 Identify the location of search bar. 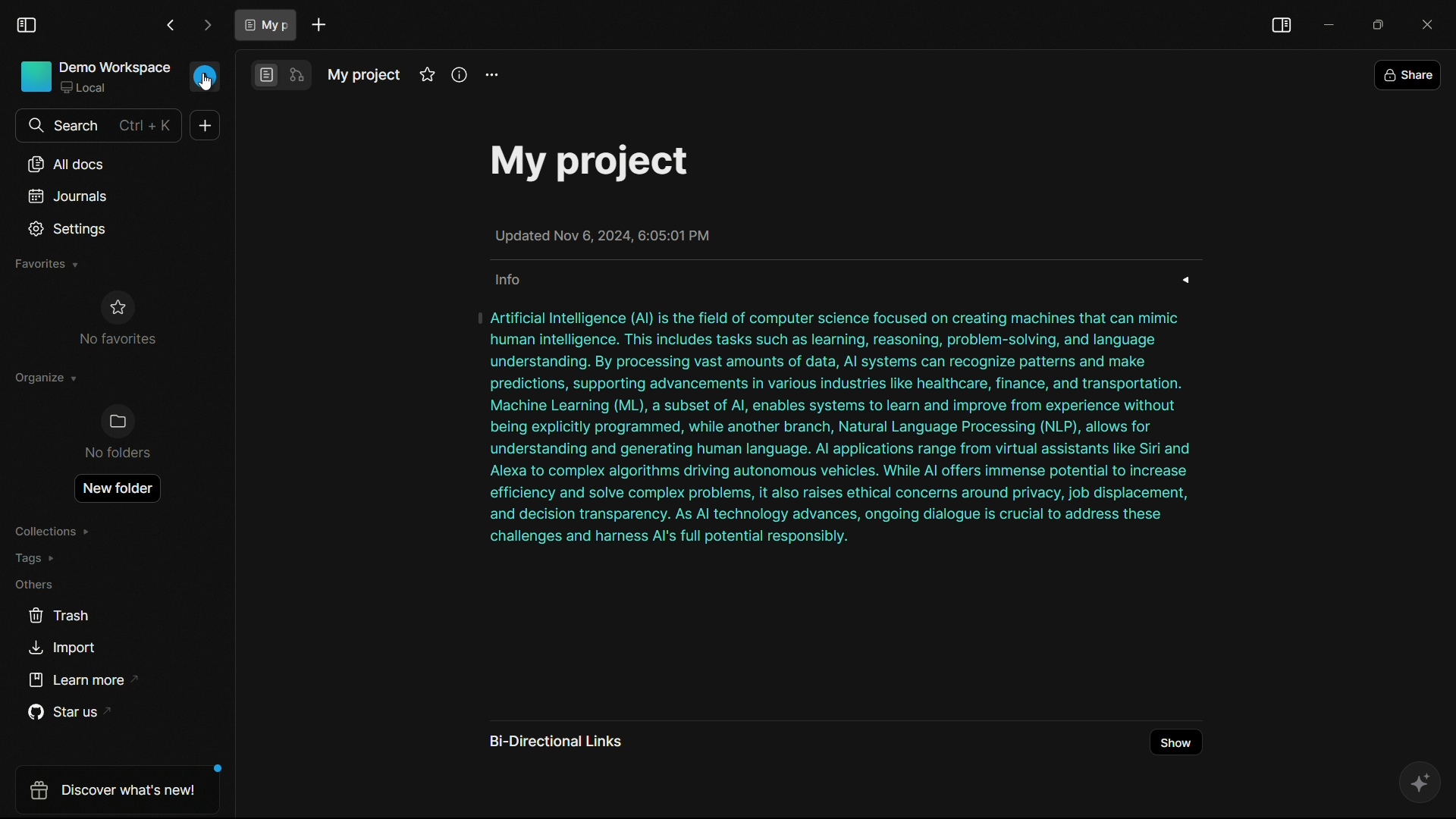
(96, 126).